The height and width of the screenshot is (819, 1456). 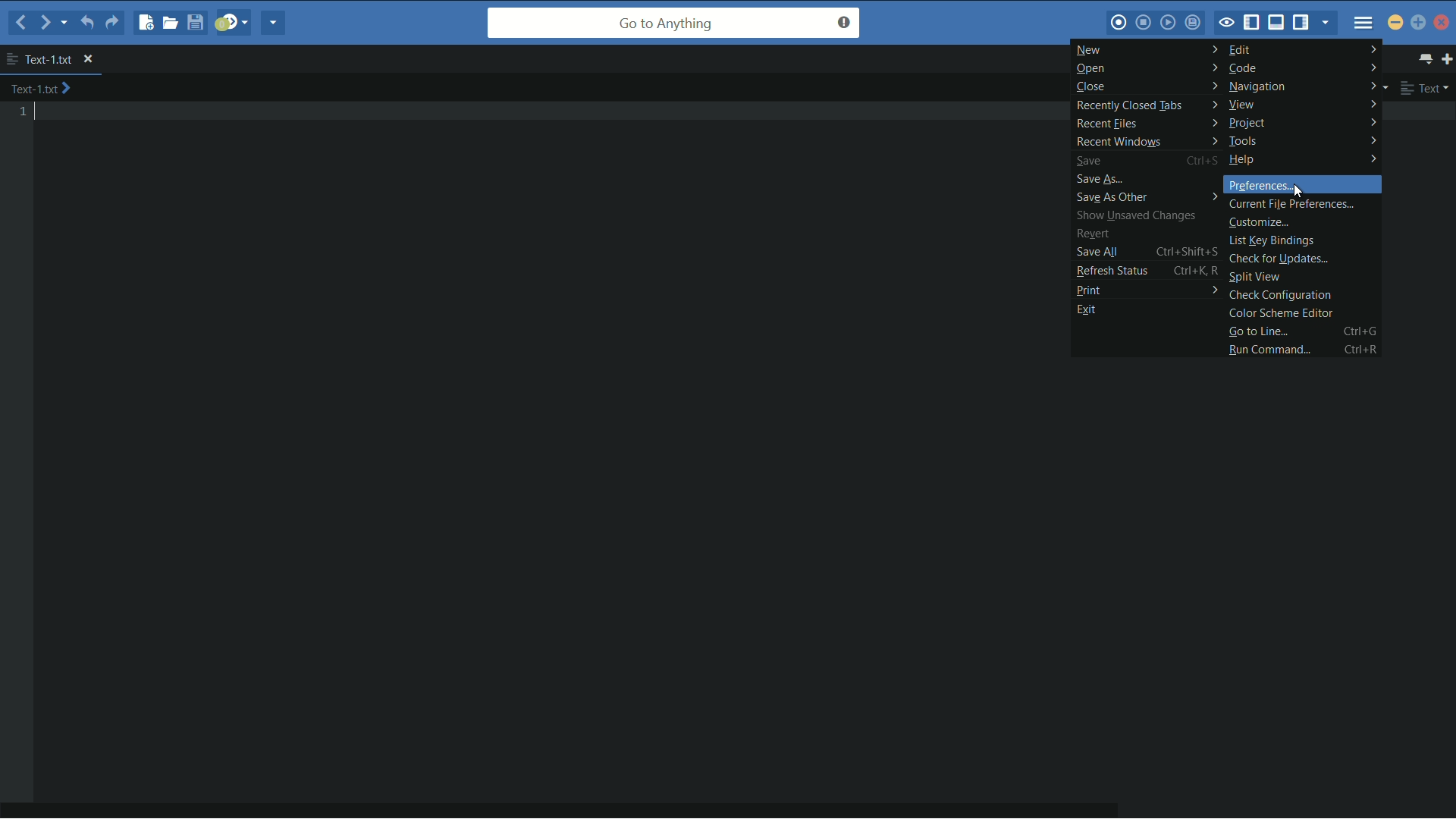 What do you see at coordinates (1260, 331) in the screenshot?
I see `go to line` at bounding box center [1260, 331].